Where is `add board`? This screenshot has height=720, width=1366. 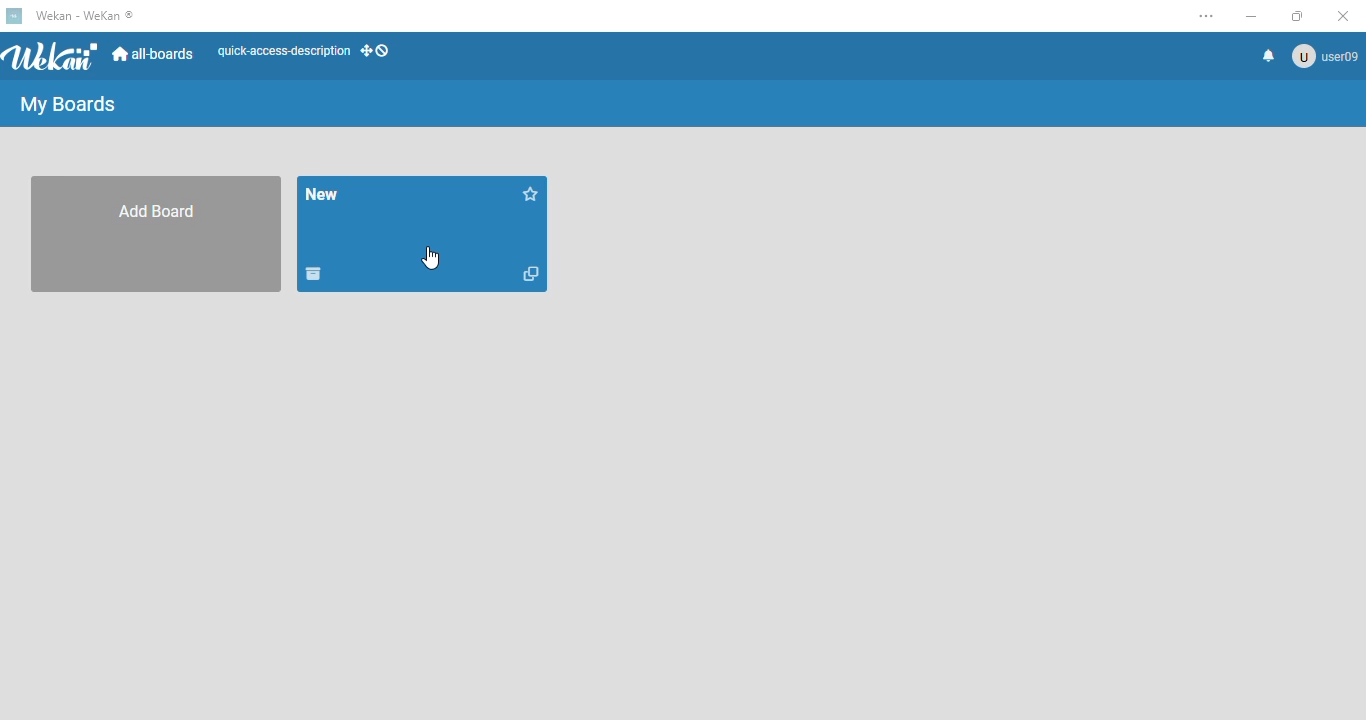
add board is located at coordinates (163, 233).